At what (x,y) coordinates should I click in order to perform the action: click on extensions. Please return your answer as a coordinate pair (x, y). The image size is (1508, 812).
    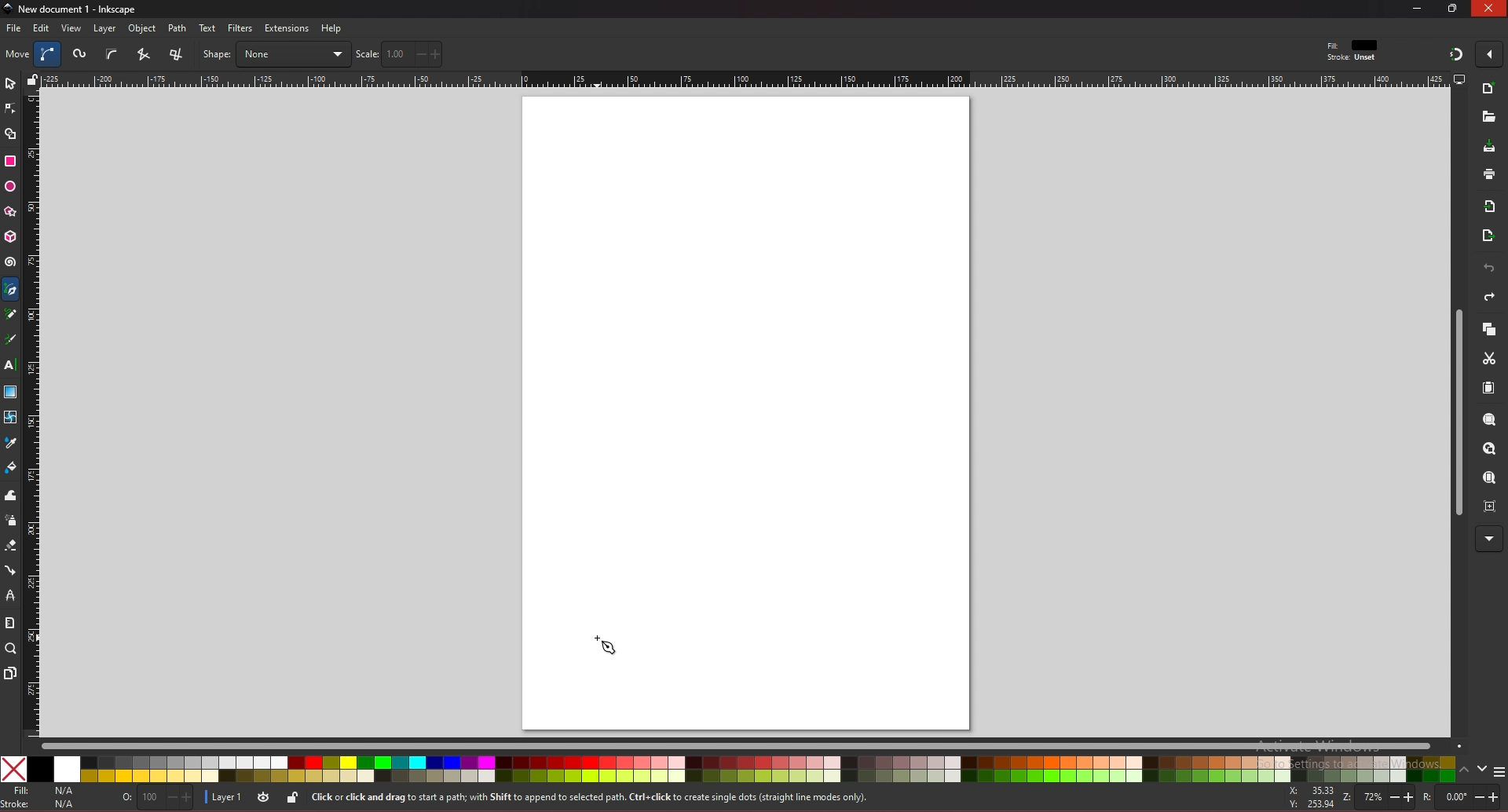
    Looking at the image, I should click on (286, 29).